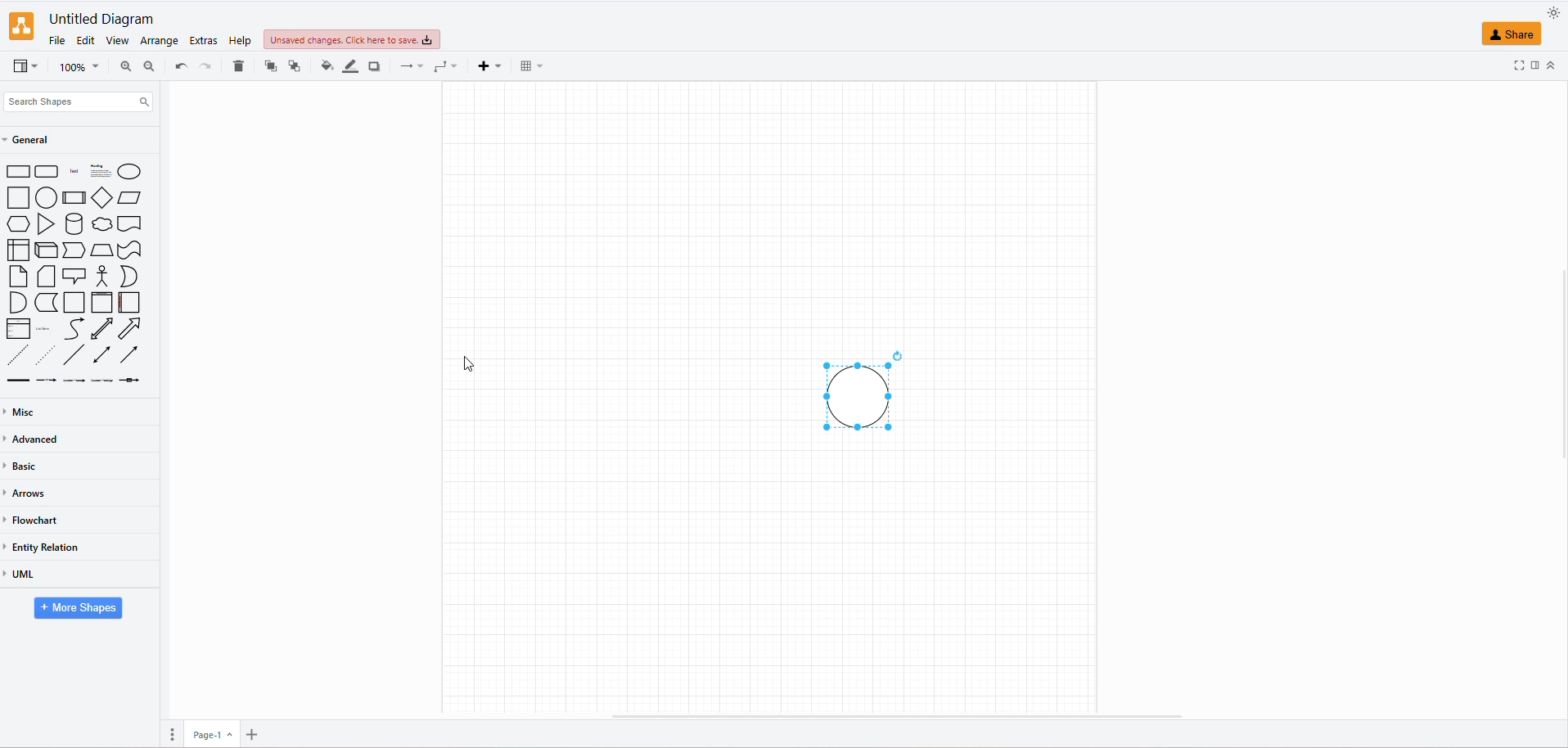 The image size is (1568, 748). Describe the element at coordinates (21, 25) in the screenshot. I see `LOGO` at that location.